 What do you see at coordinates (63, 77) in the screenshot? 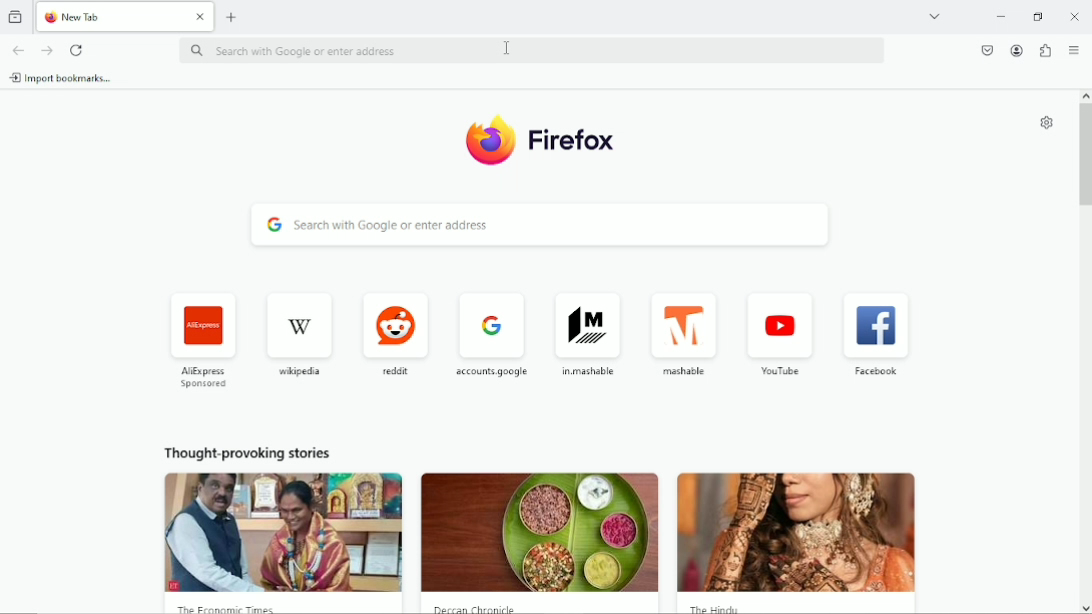
I see `import bookmarks` at bounding box center [63, 77].